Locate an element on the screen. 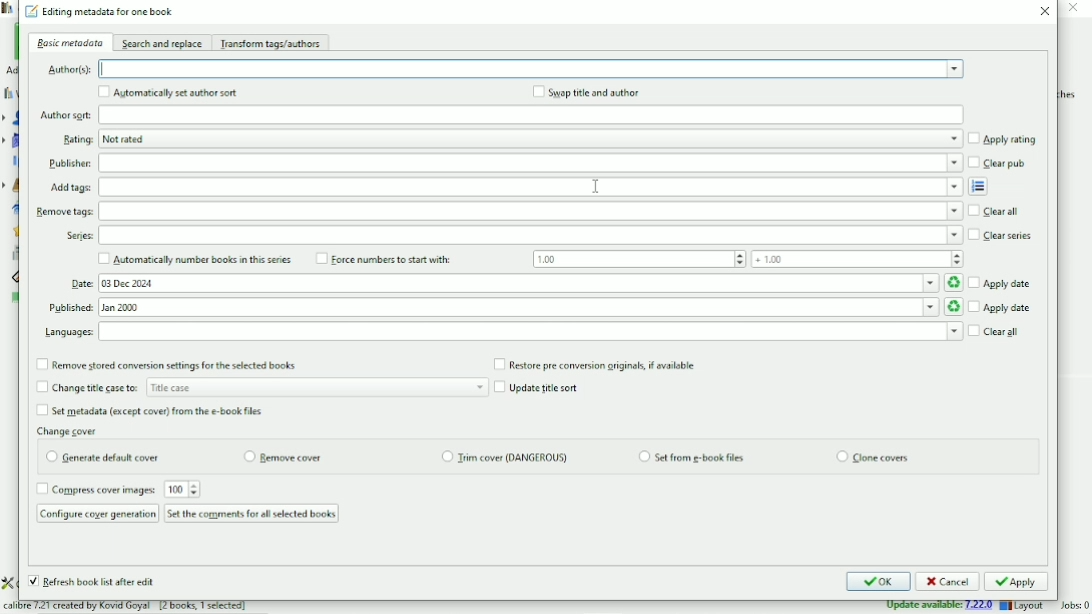  Author sort input is located at coordinates (534, 114).